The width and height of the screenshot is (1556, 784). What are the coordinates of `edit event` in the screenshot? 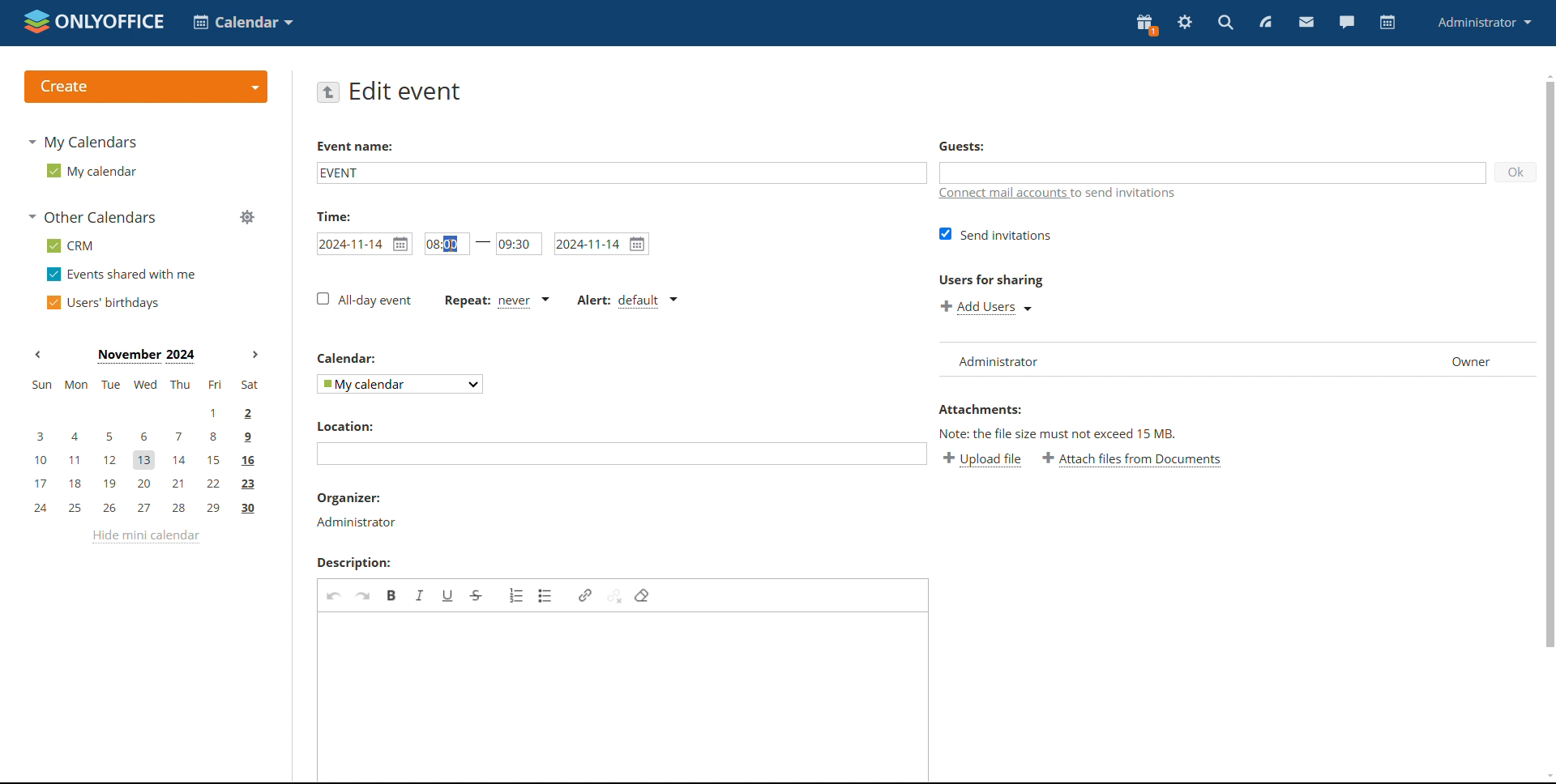 It's located at (406, 92).